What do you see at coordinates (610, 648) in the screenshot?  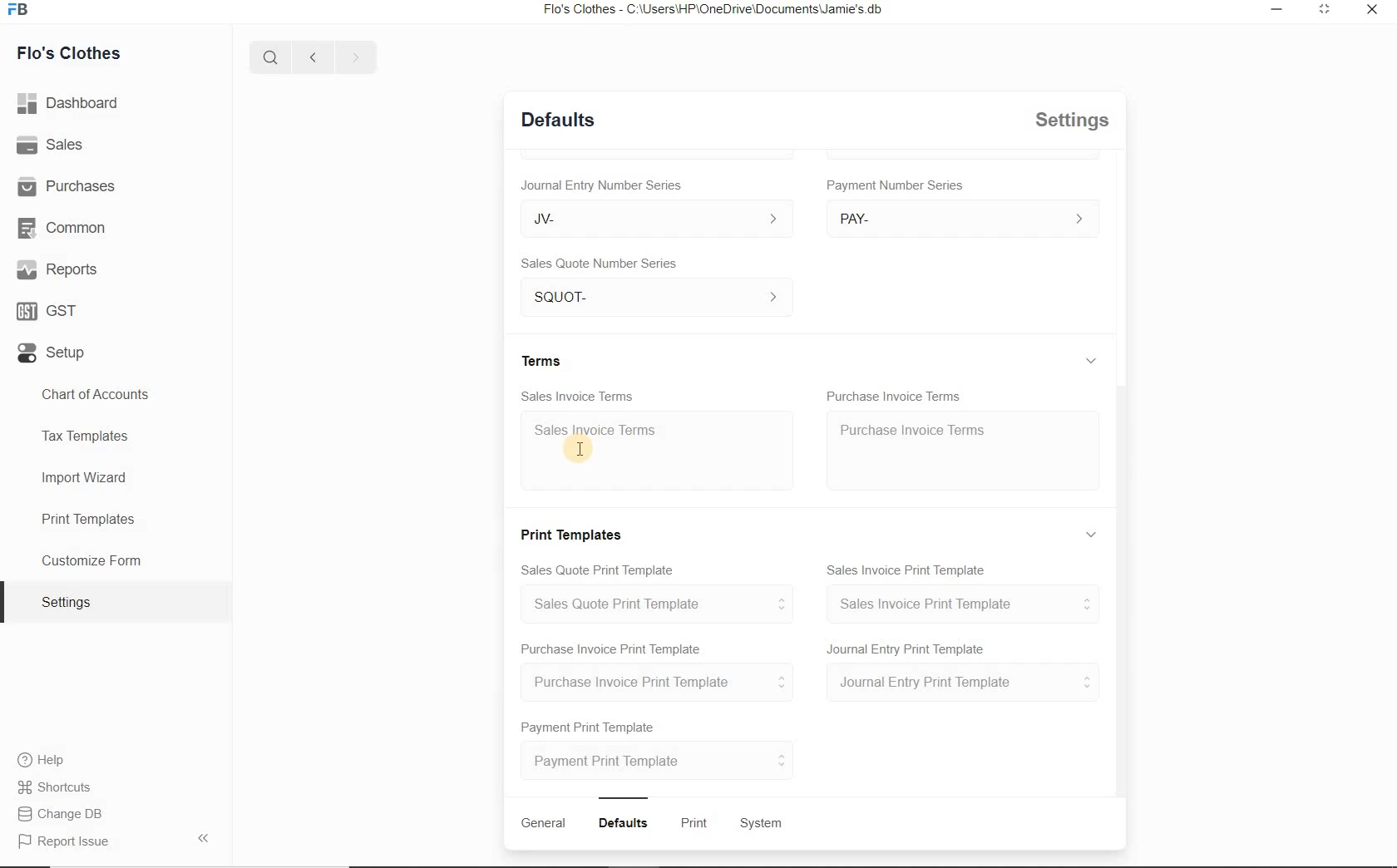 I see `Purchase Invoice Print Template` at bounding box center [610, 648].